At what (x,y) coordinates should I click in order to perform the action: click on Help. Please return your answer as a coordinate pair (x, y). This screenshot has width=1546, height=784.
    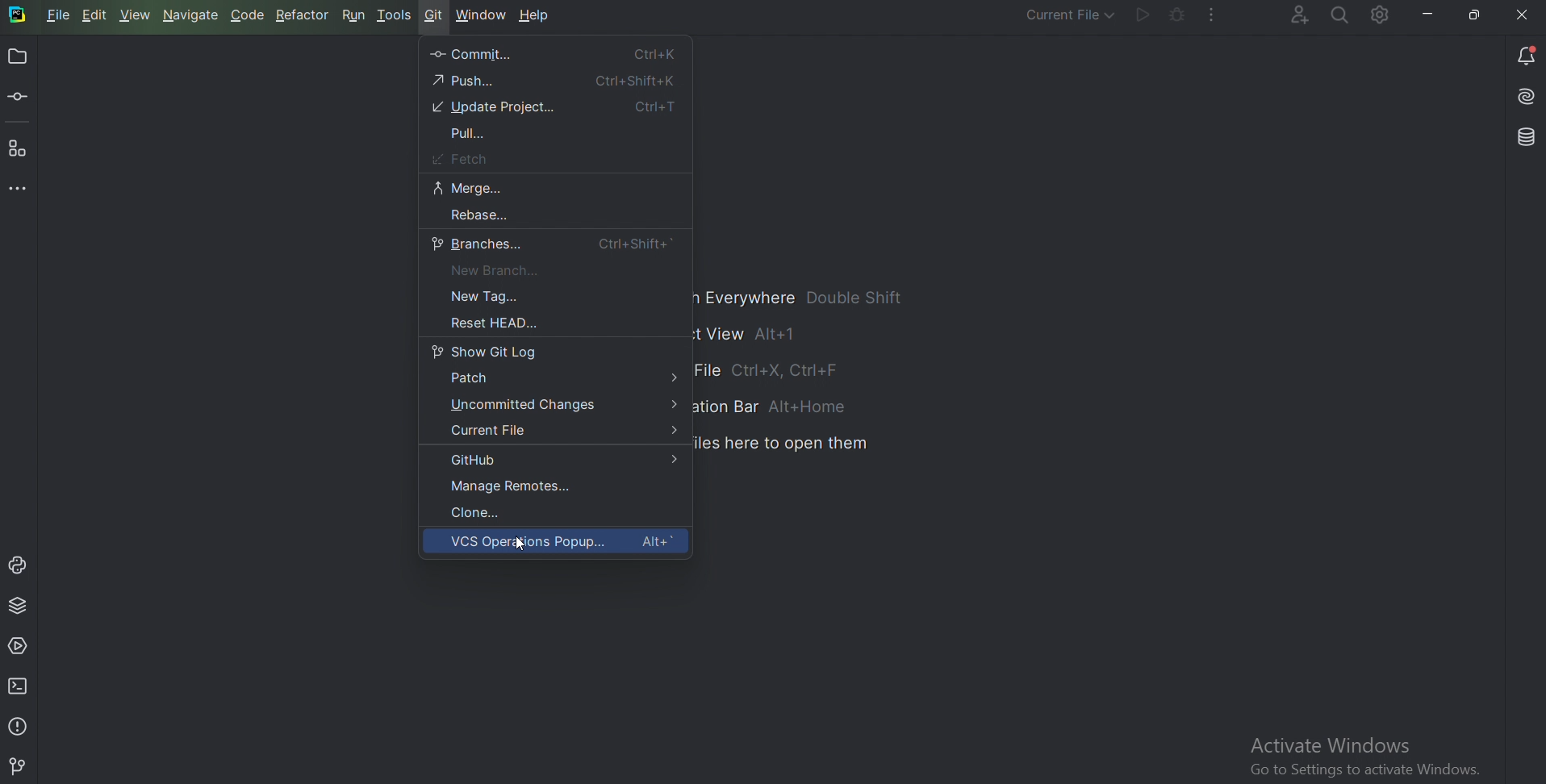
    Looking at the image, I should click on (537, 17).